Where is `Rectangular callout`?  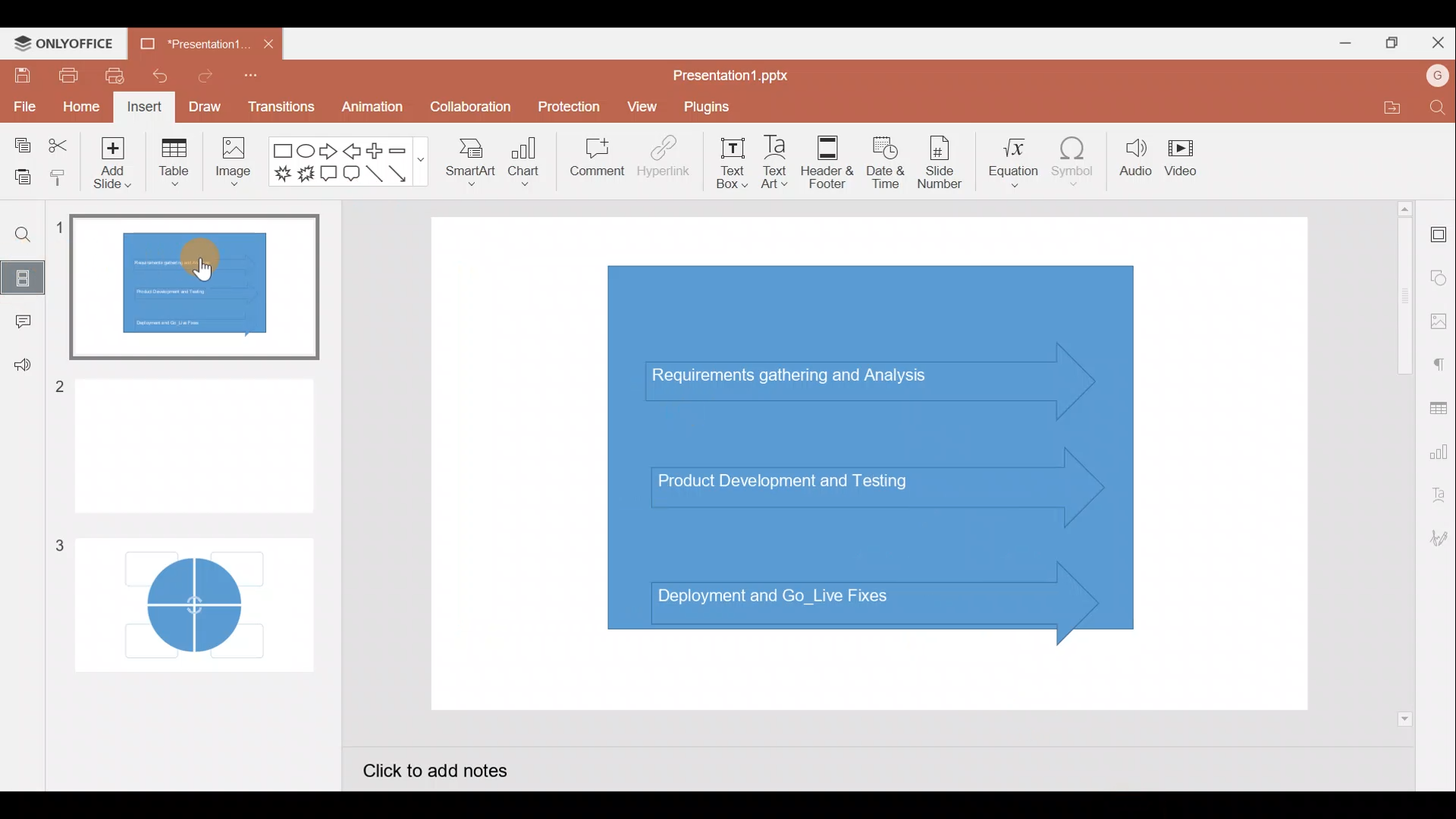 Rectangular callout is located at coordinates (328, 173).